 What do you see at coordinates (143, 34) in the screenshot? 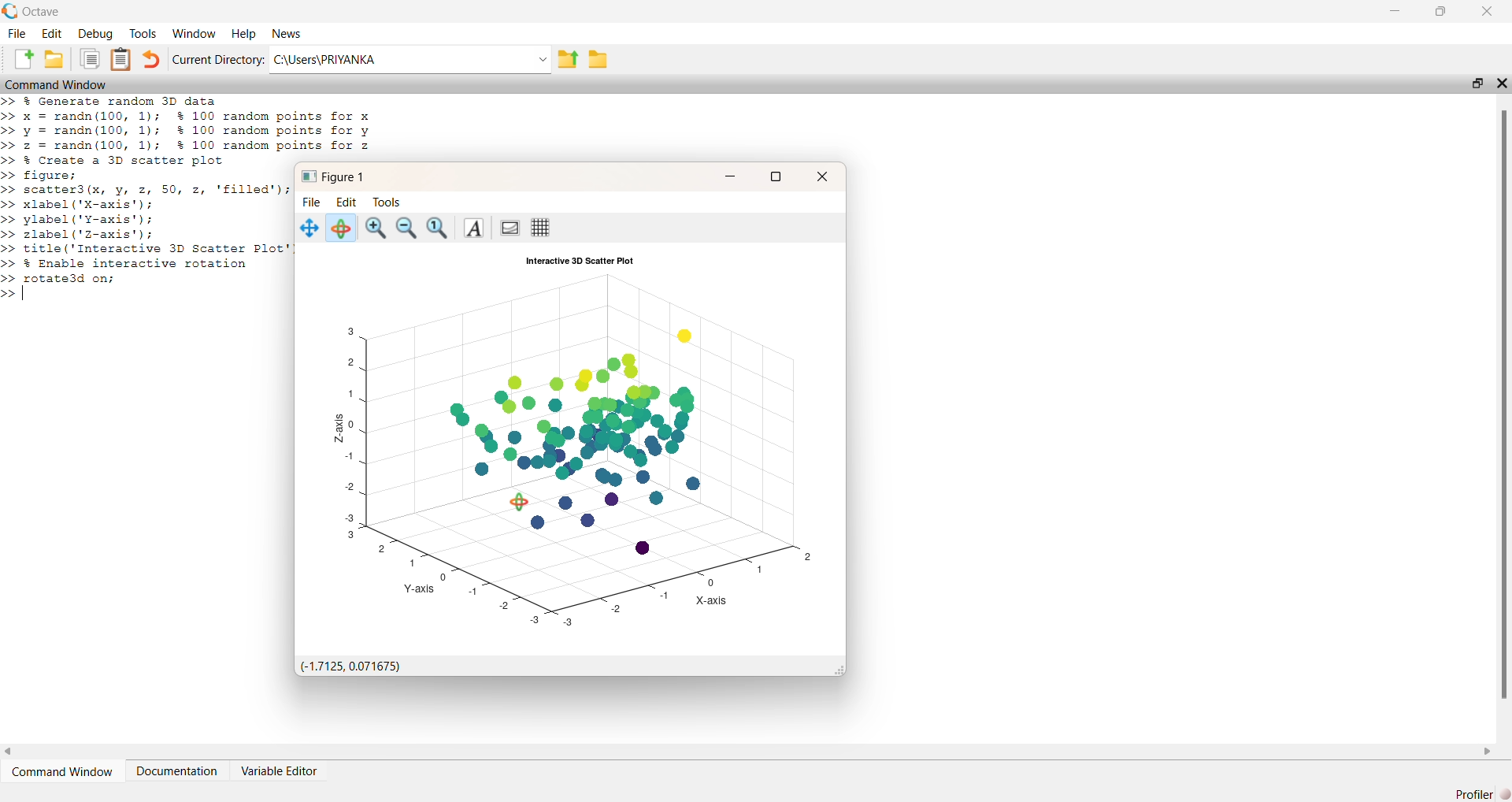
I see `Tools` at bounding box center [143, 34].